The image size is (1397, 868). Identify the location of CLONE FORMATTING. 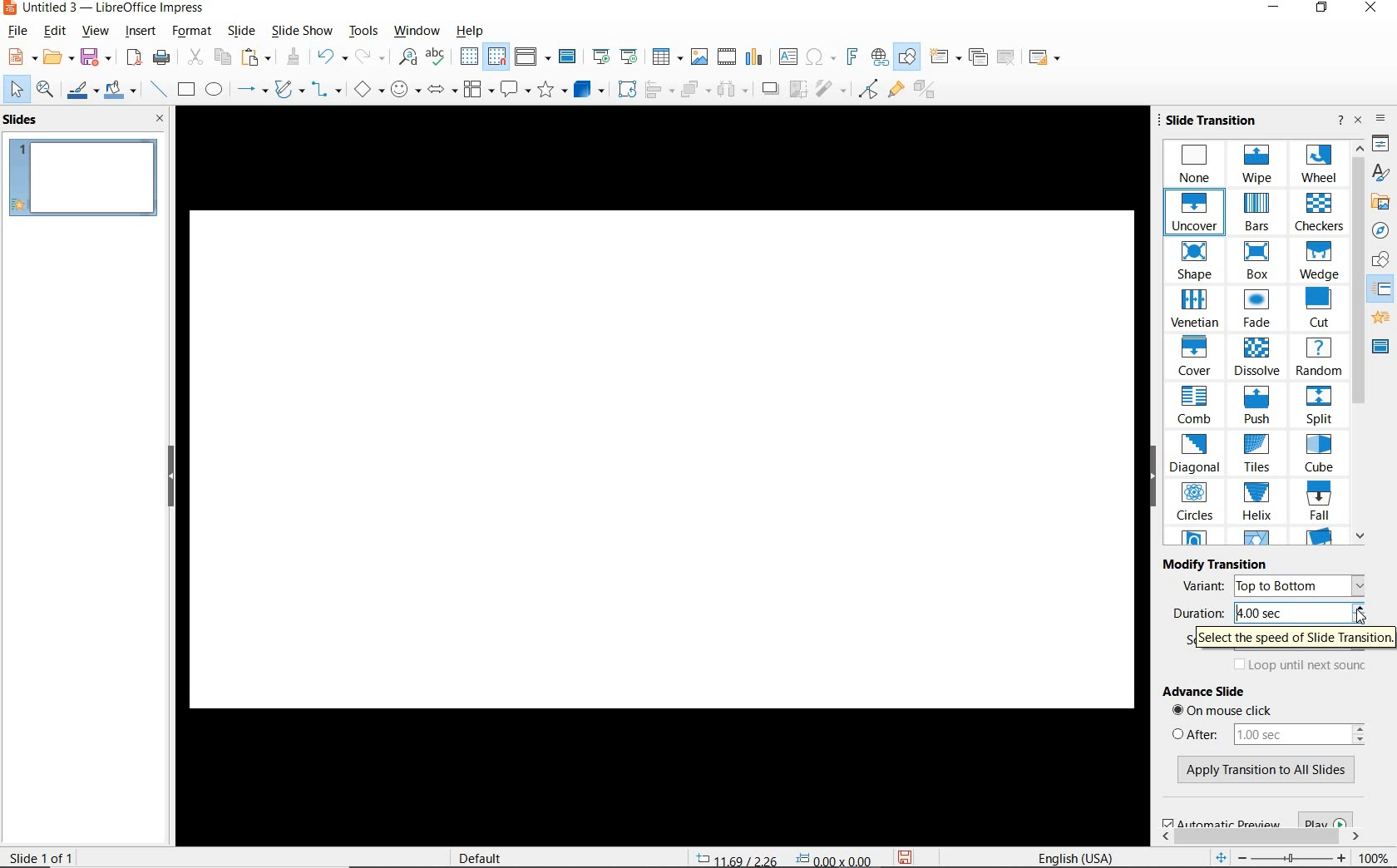
(294, 58).